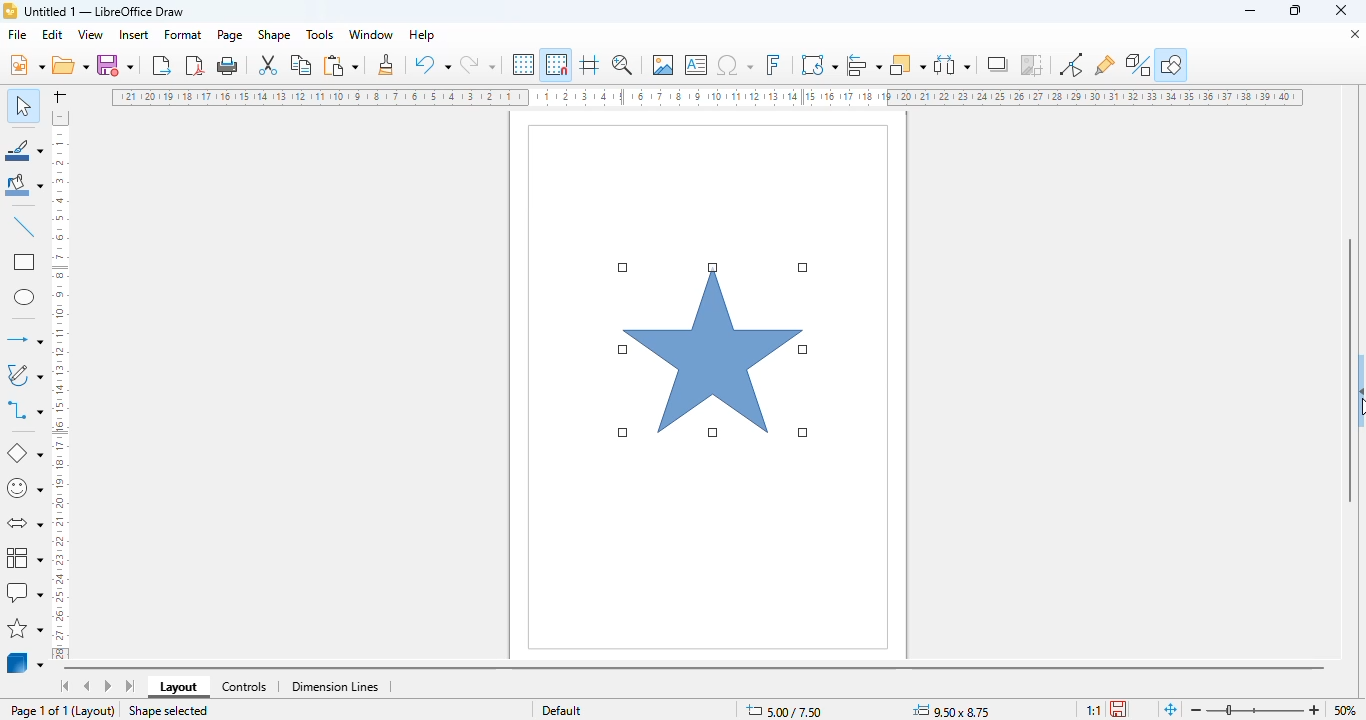 The height and width of the screenshot is (720, 1366). I want to click on print, so click(228, 66).